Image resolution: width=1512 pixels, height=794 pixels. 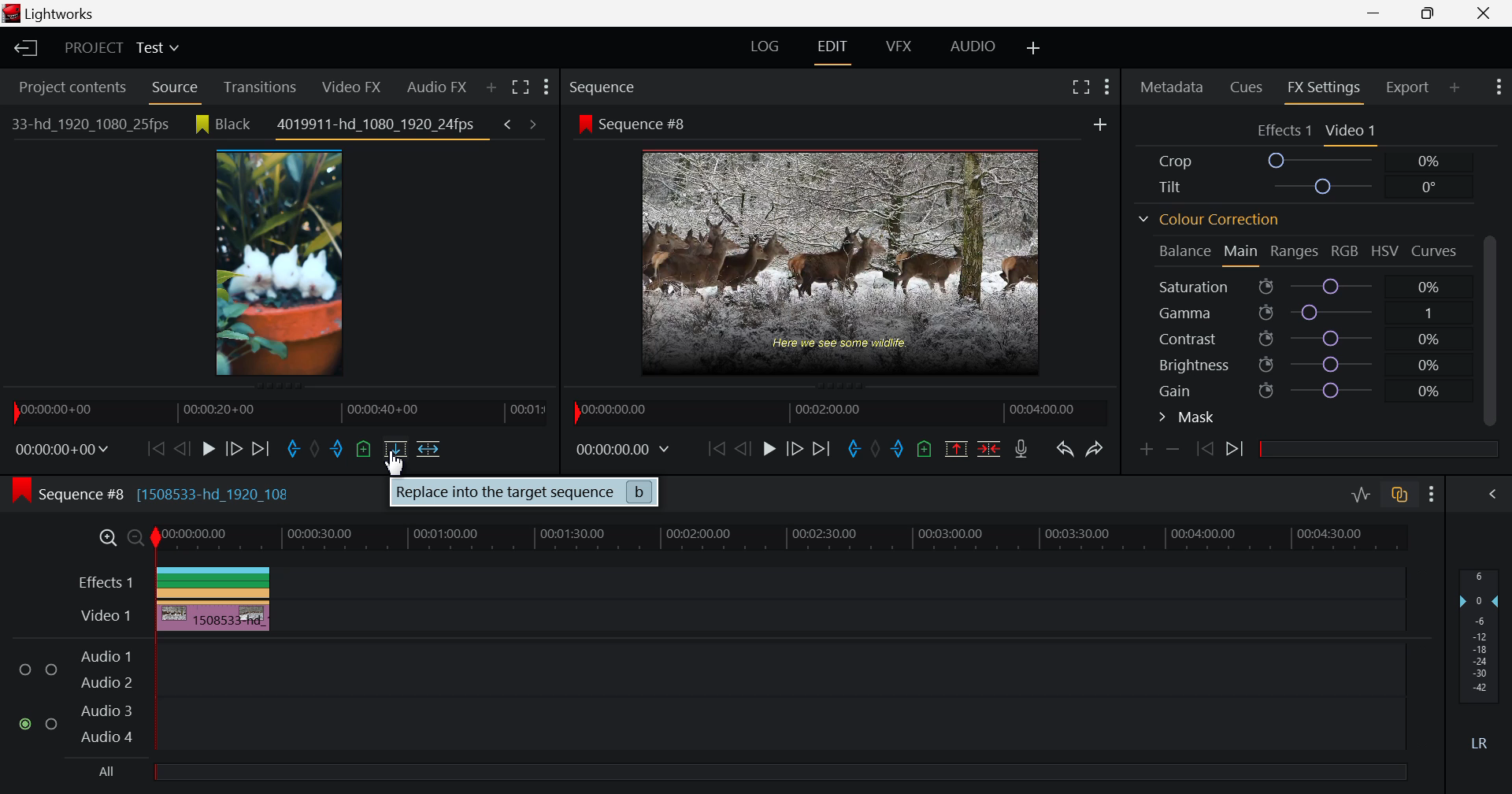 What do you see at coordinates (317, 451) in the screenshot?
I see `Remove all marks` at bounding box center [317, 451].